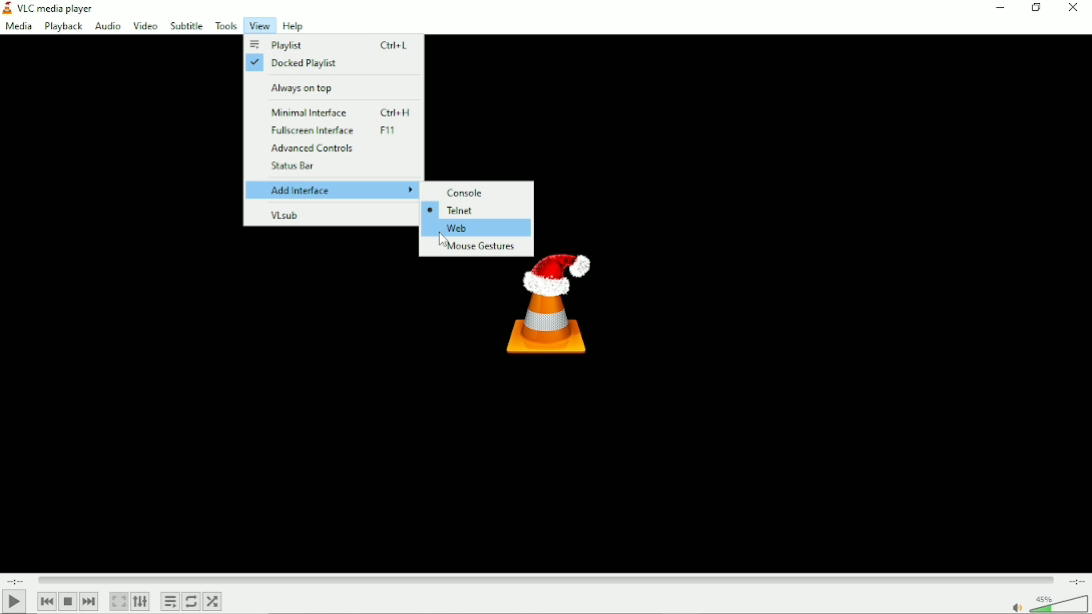  What do you see at coordinates (46, 601) in the screenshot?
I see `Previous` at bounding box center [46, 601].